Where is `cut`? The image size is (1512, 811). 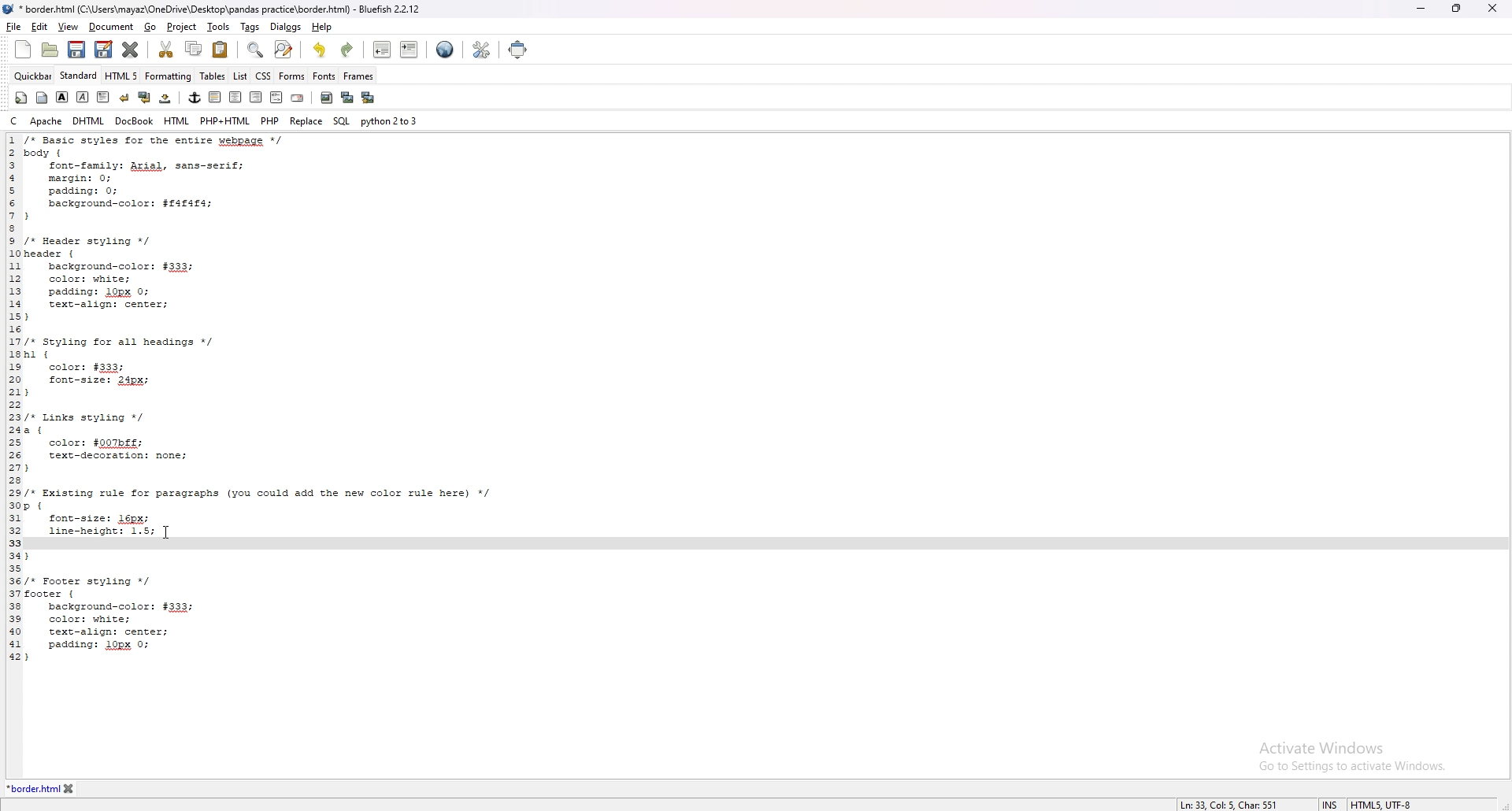
cut is located at coordinates (168, 50).